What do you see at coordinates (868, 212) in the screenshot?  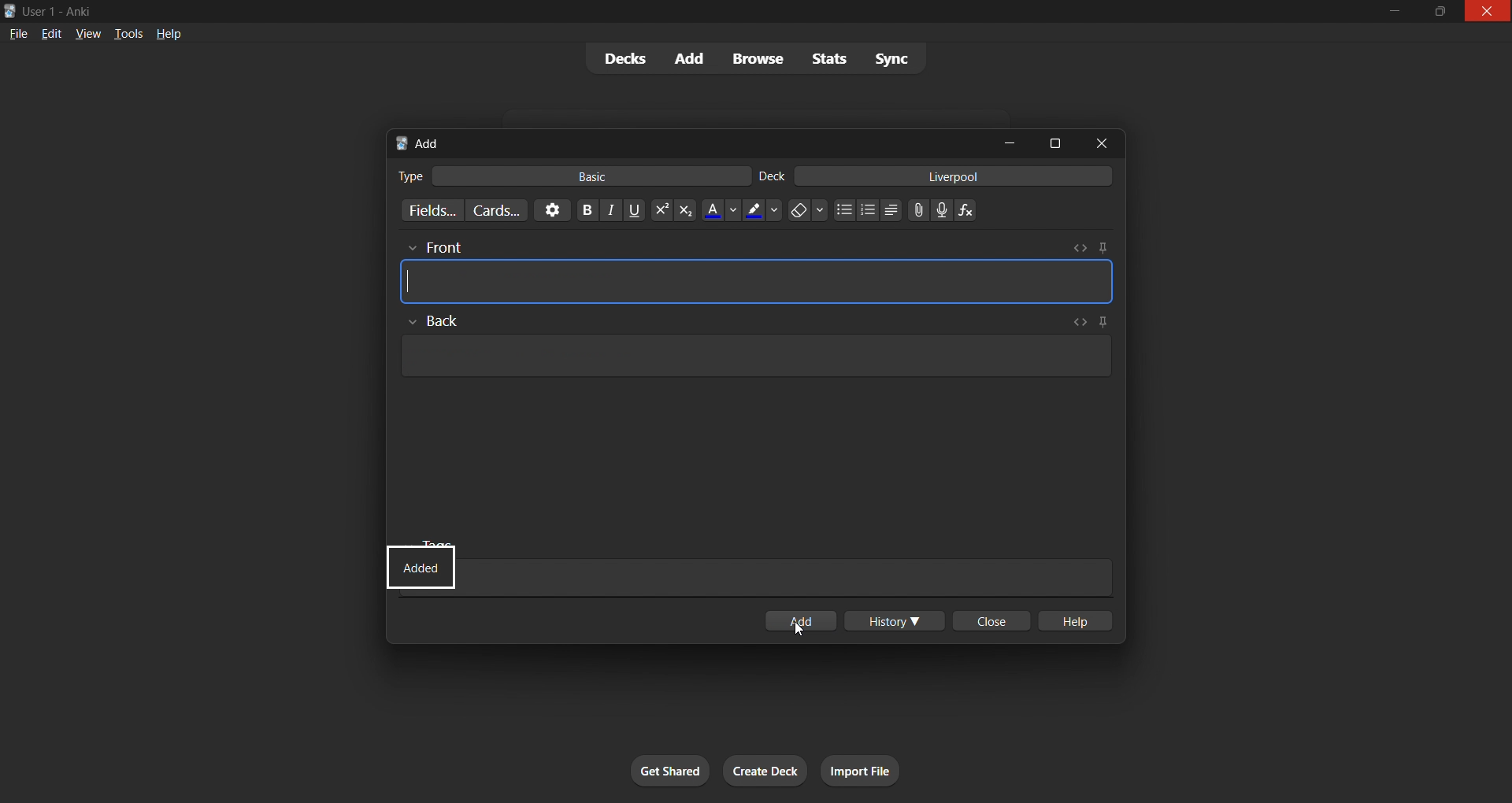 I see `ordered list` at bounding box center [868, 212].